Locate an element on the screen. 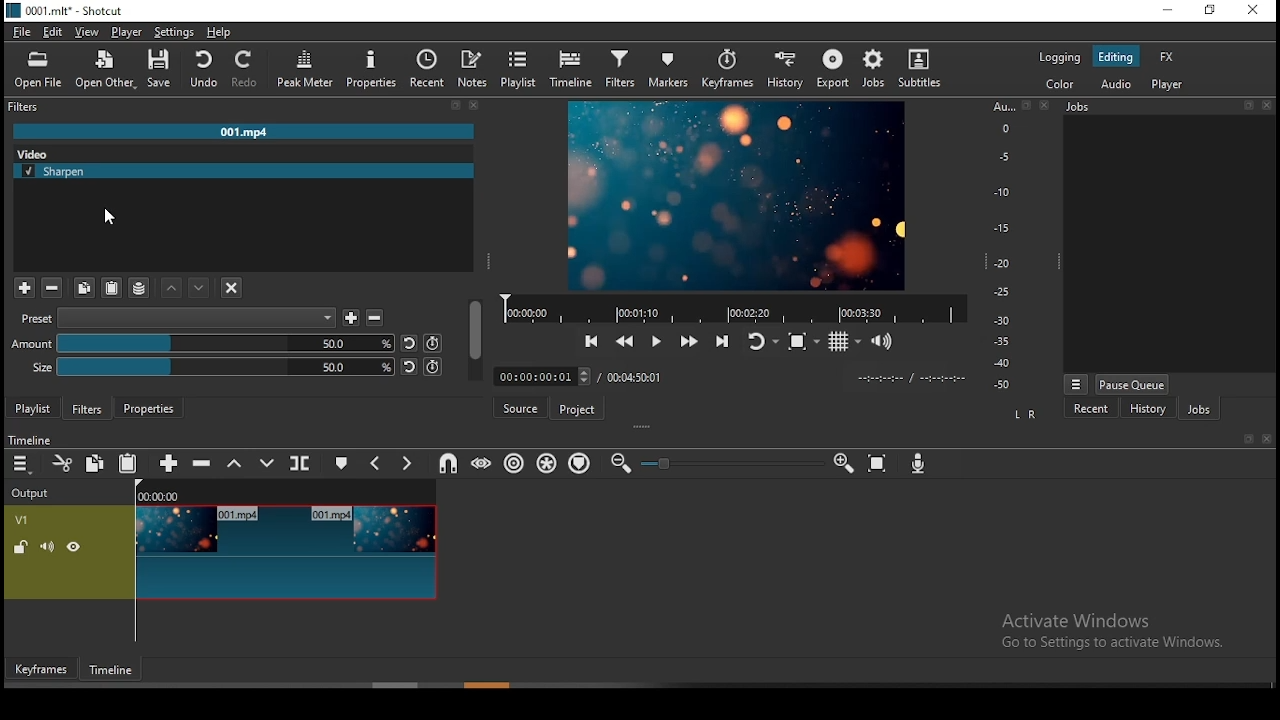  timeline is located at coordinates (573, 72).